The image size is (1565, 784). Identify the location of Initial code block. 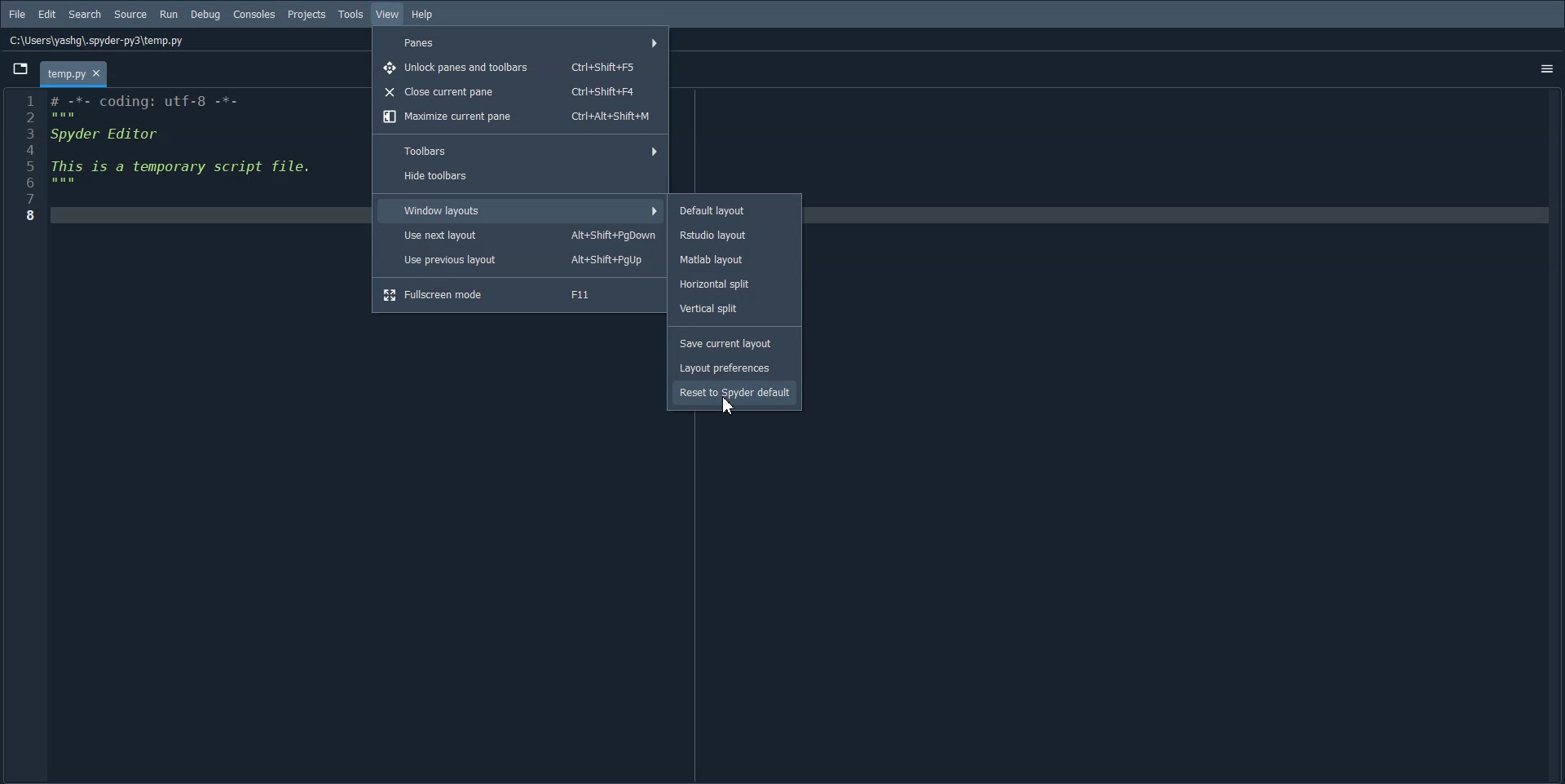
(183, 144).